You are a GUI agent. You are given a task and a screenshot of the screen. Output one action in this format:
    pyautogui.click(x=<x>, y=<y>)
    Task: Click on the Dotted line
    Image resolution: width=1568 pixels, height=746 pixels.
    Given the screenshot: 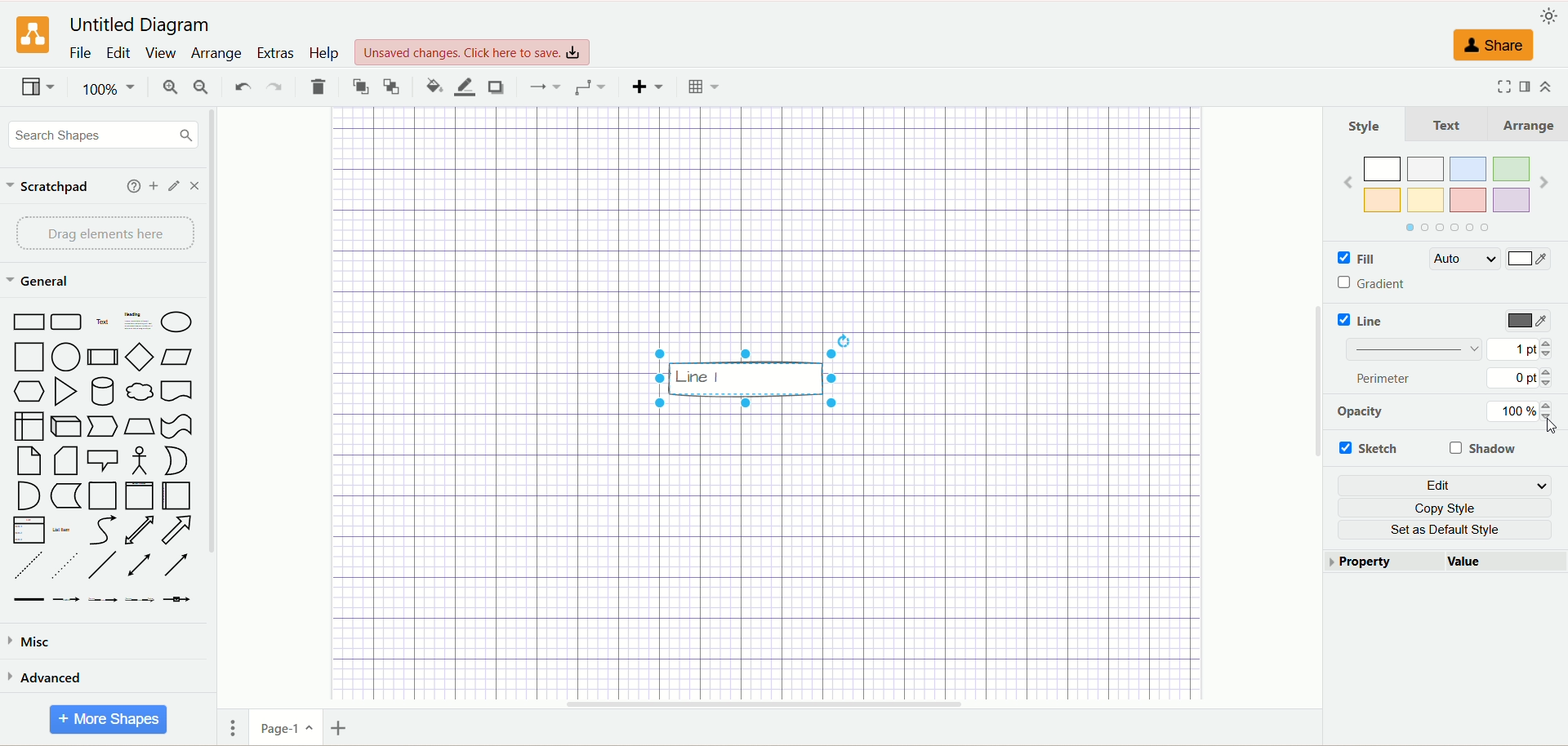 What is the action you would take?
    pyautogui.click(x=63, y=566)
    